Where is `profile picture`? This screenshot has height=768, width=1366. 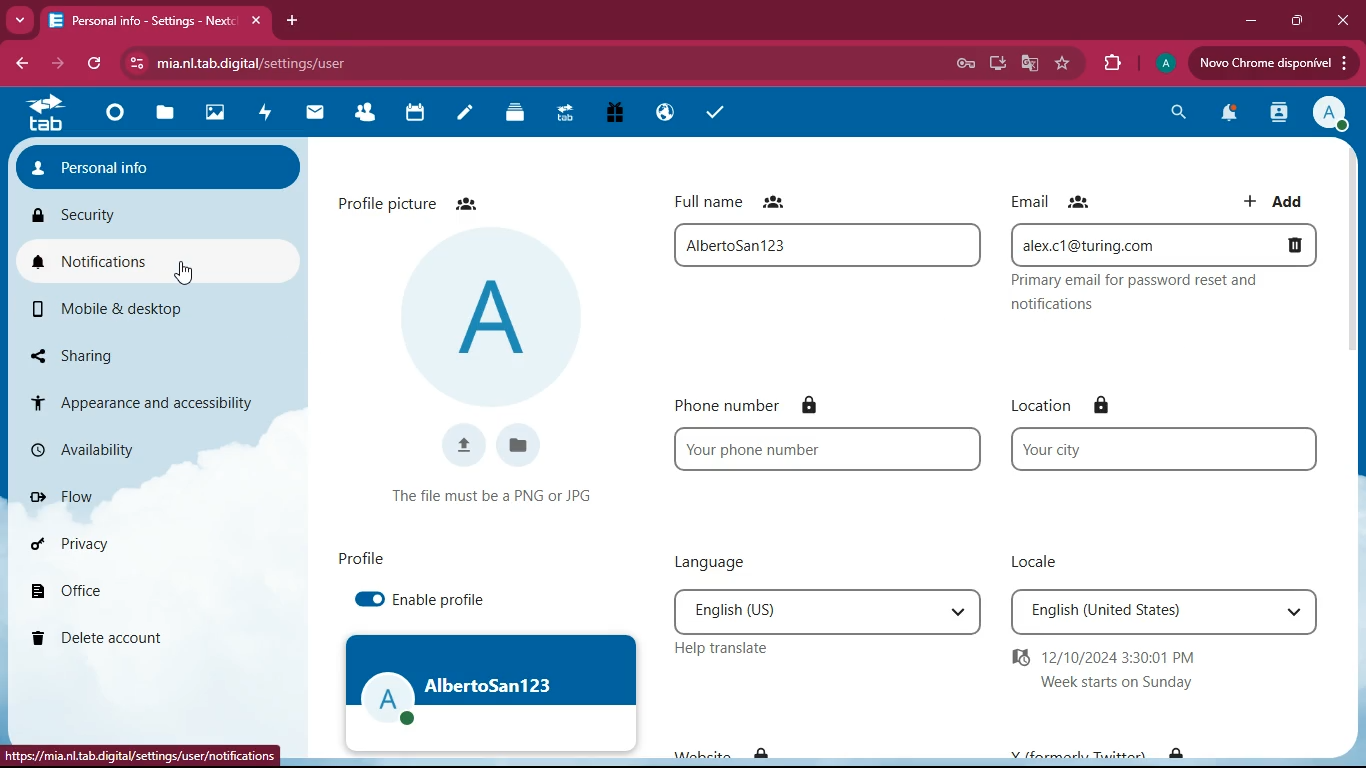
profile picture is located at coordinates (420, 199).